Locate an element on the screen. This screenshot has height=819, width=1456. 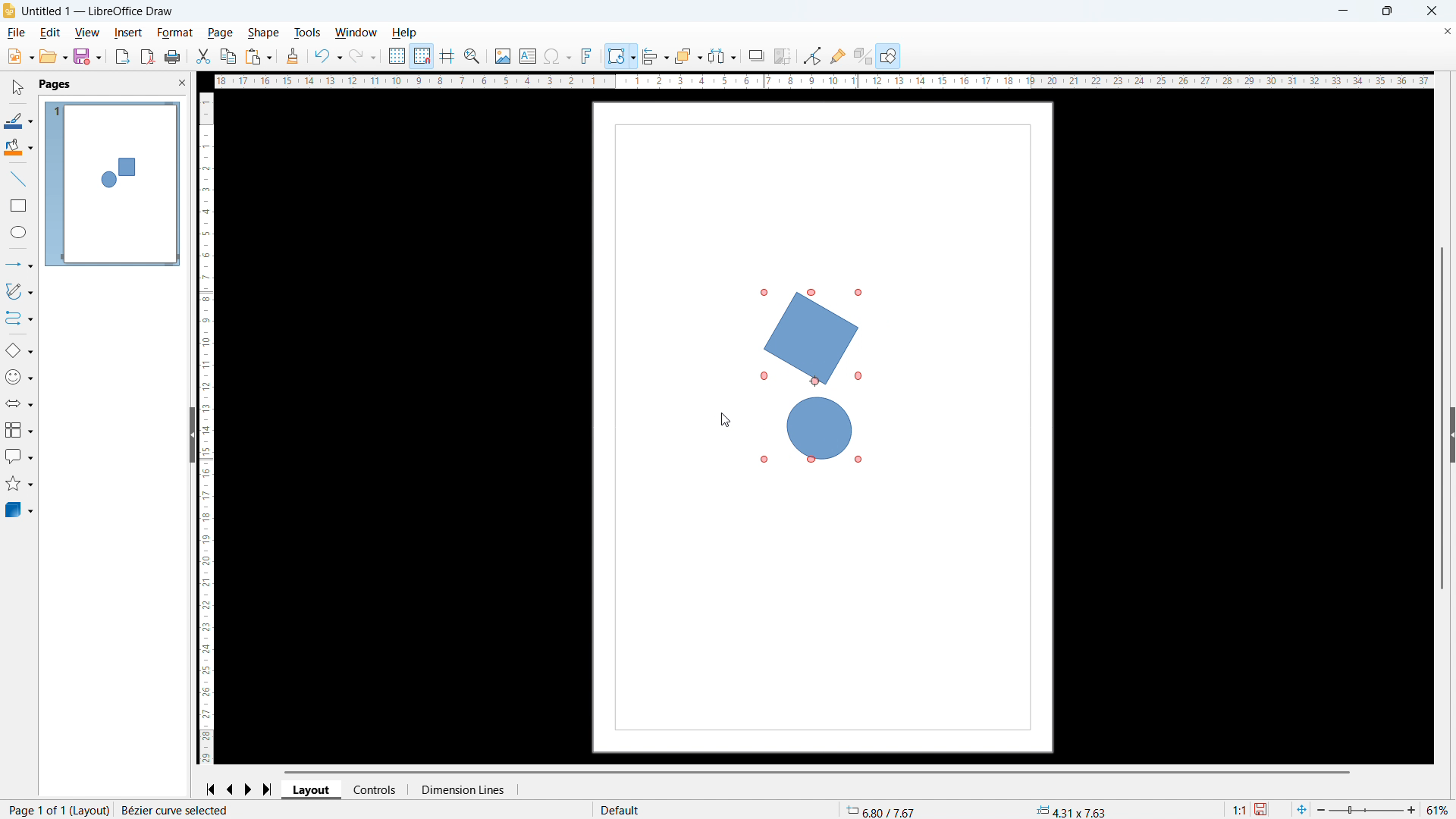
Edit  is located at coordinates (52, 33).